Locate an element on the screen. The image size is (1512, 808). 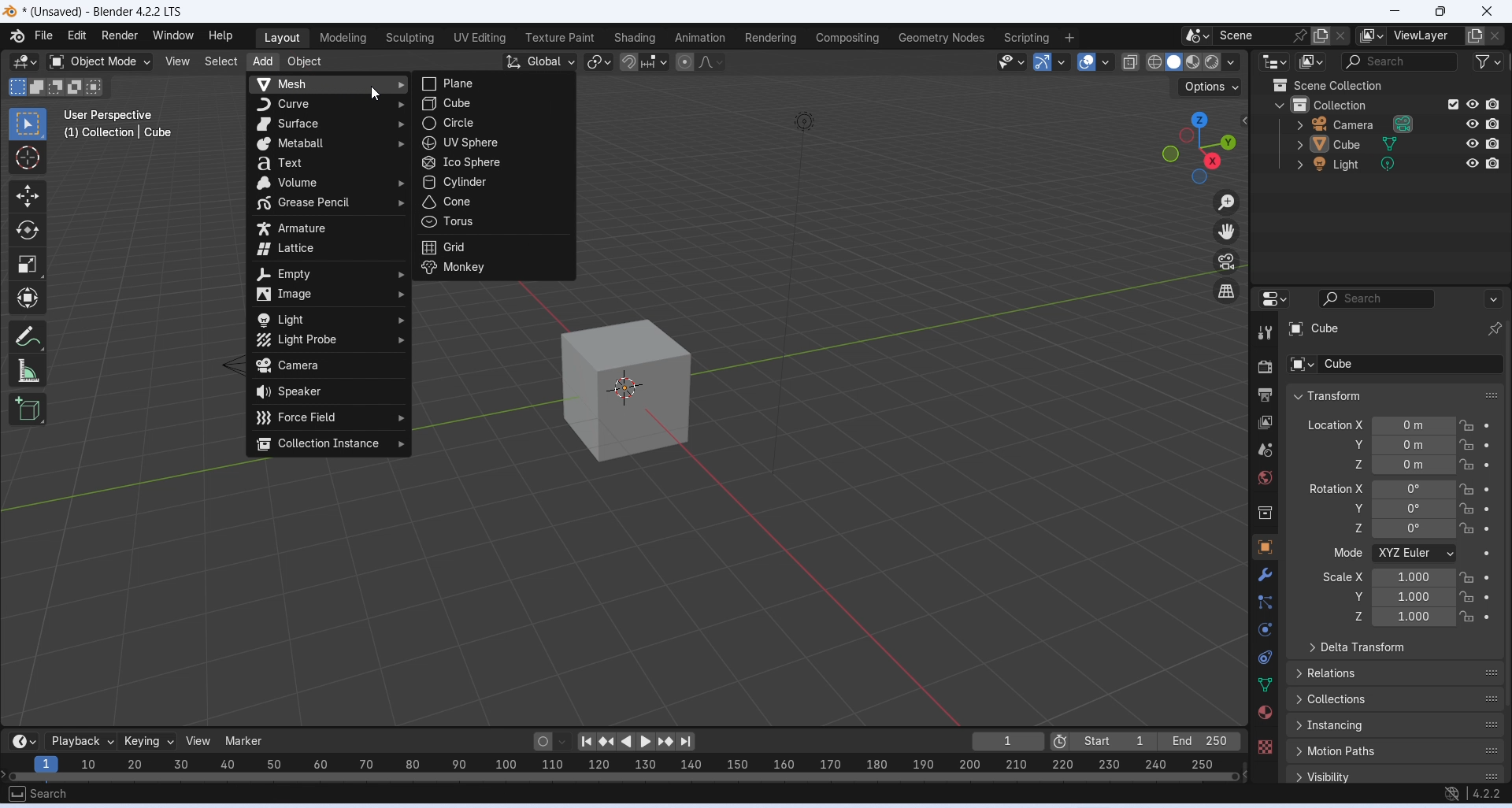
modifier is located at coordinates (1265, 574).